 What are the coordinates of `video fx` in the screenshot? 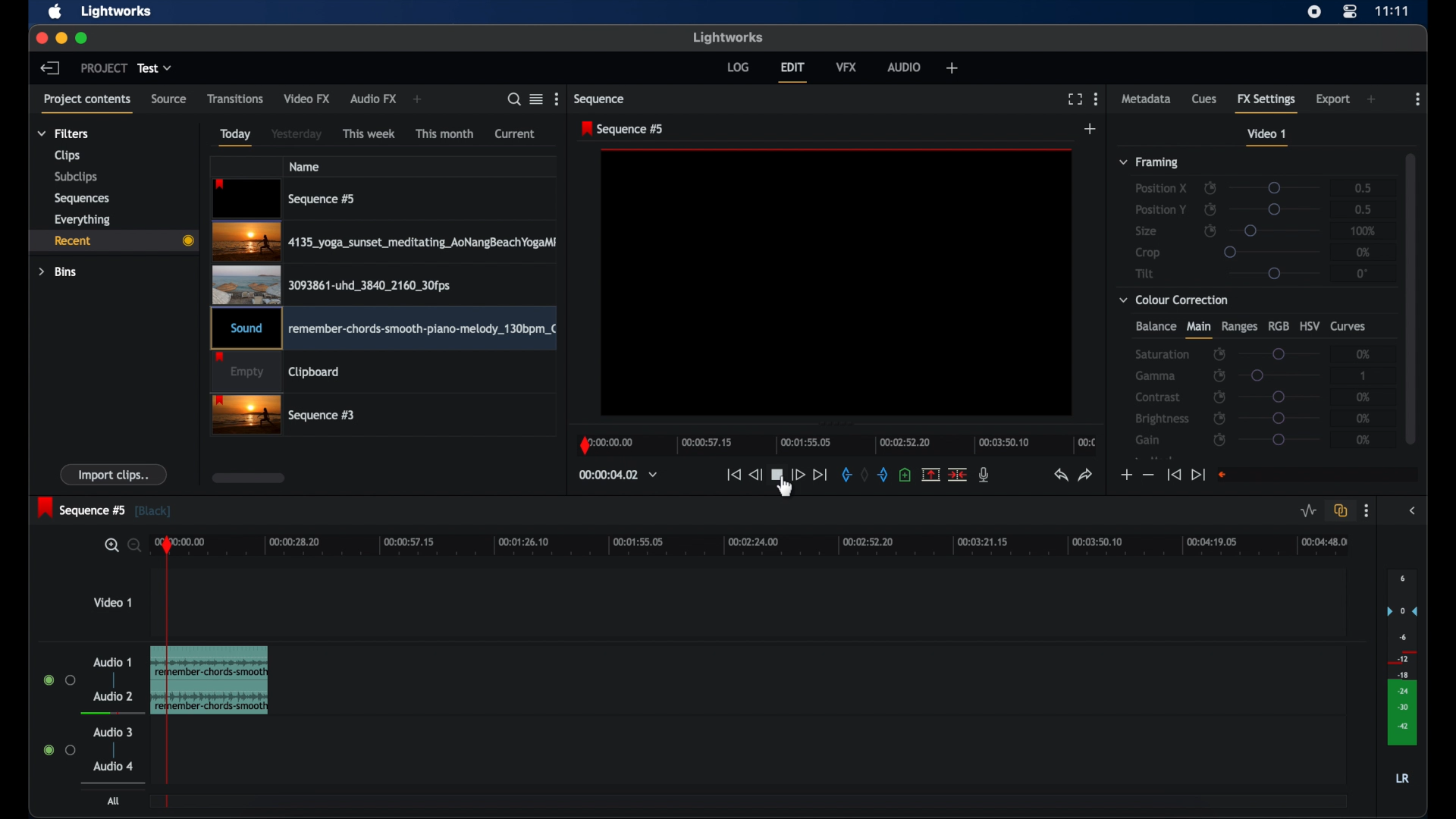 It's located at (308, 99).